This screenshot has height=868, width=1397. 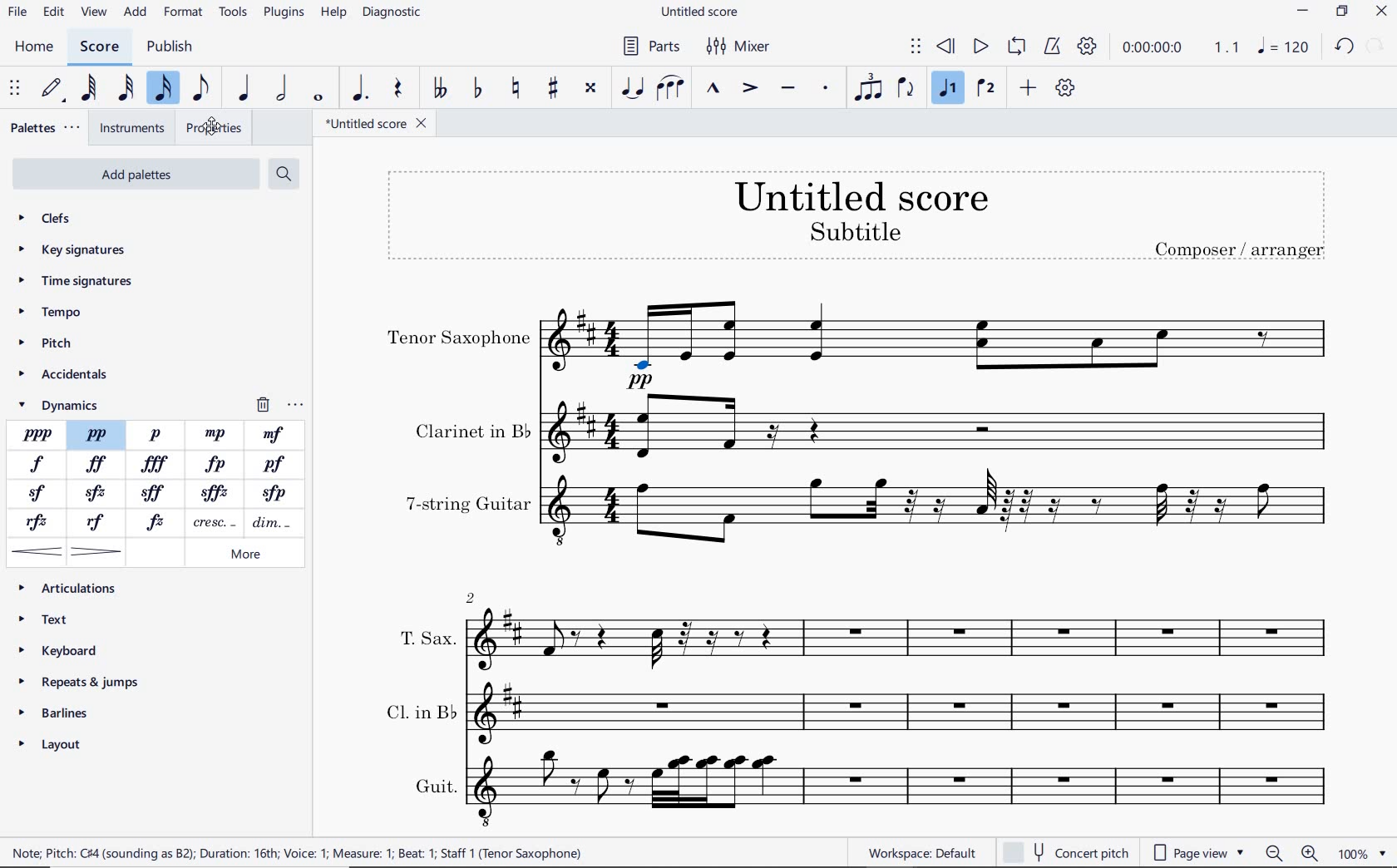 I want to click on 16TH NOTE, so click(x=165, y=89).